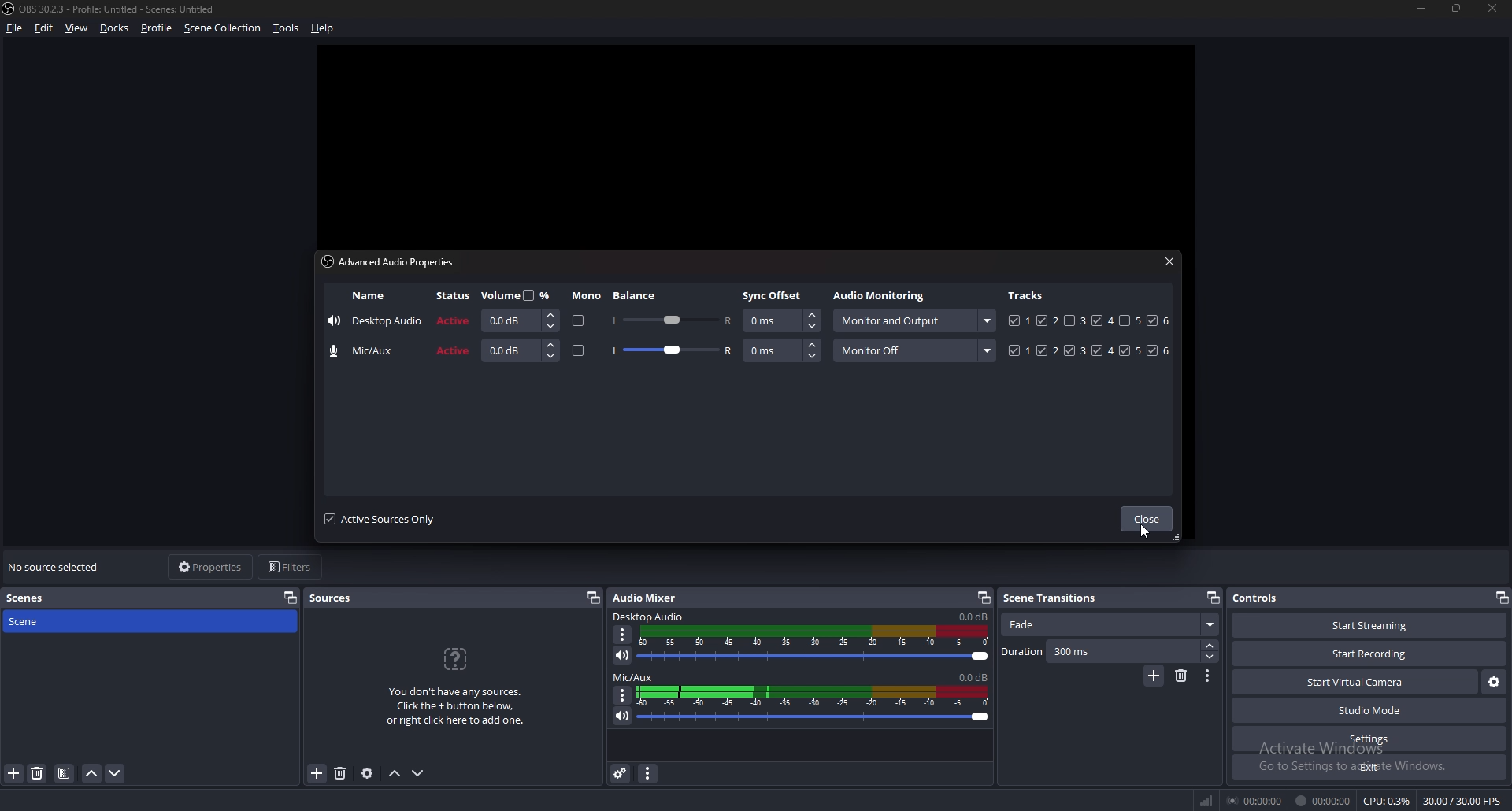 This screenshot has height=811, width=1512. What do you see at coordinates (672, 352) in the screenshot?
I see `balance adjust` at bounding box center [672, 352].